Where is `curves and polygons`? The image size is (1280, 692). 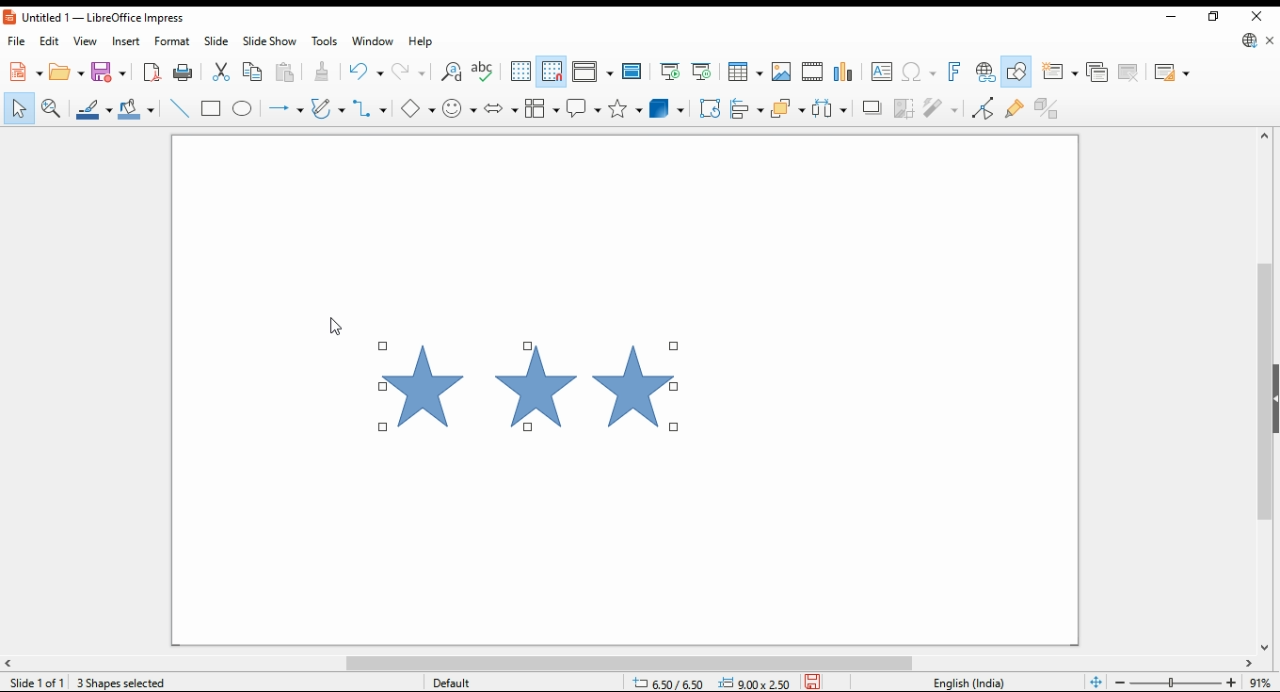 curves and polygons is located at coordinates (328, 107).